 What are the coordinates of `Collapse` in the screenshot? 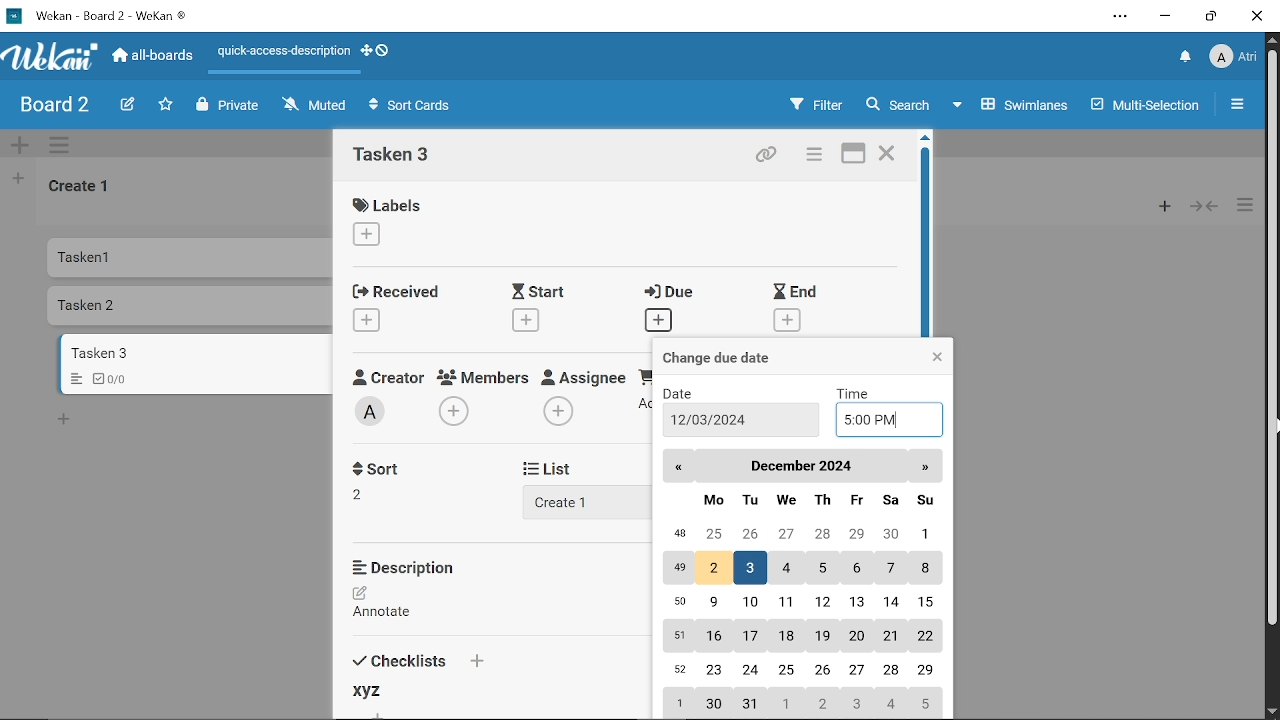 It's located at (1204, 206).